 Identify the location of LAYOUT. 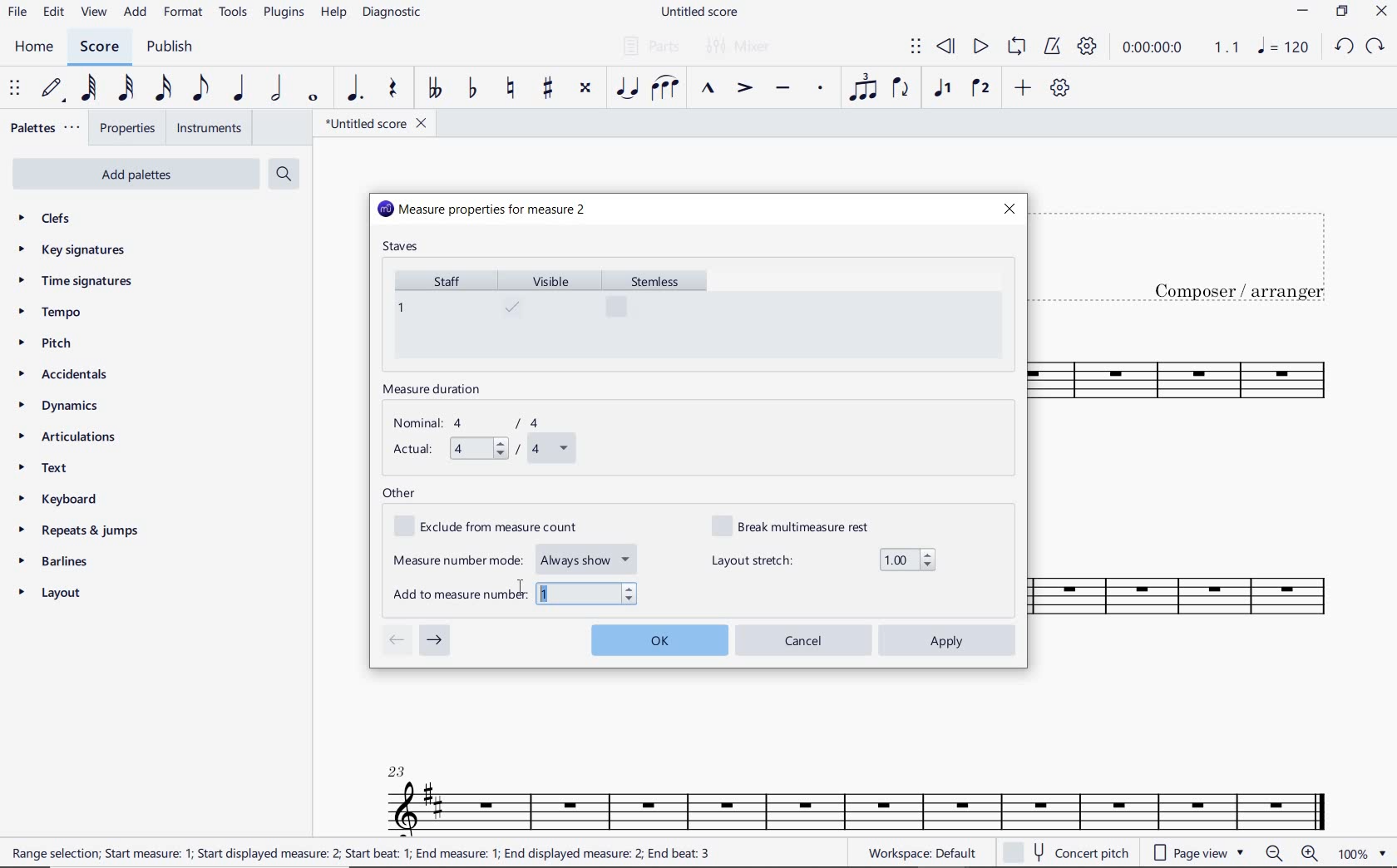
(53, 596).